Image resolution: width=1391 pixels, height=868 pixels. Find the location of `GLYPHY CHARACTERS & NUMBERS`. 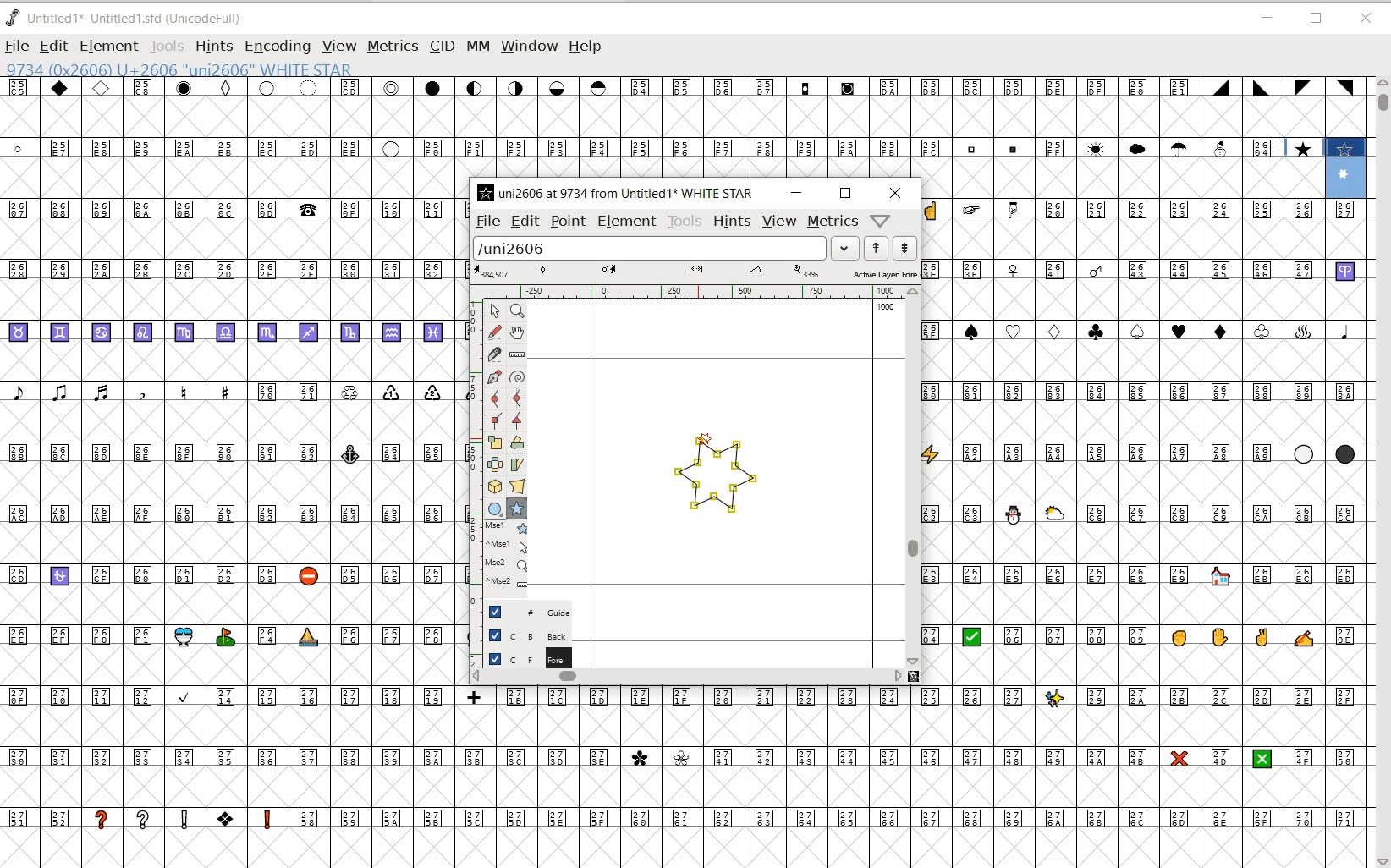

GLYPHY CHARACTERS & NUMBERS is located at coordinates (695, 774).